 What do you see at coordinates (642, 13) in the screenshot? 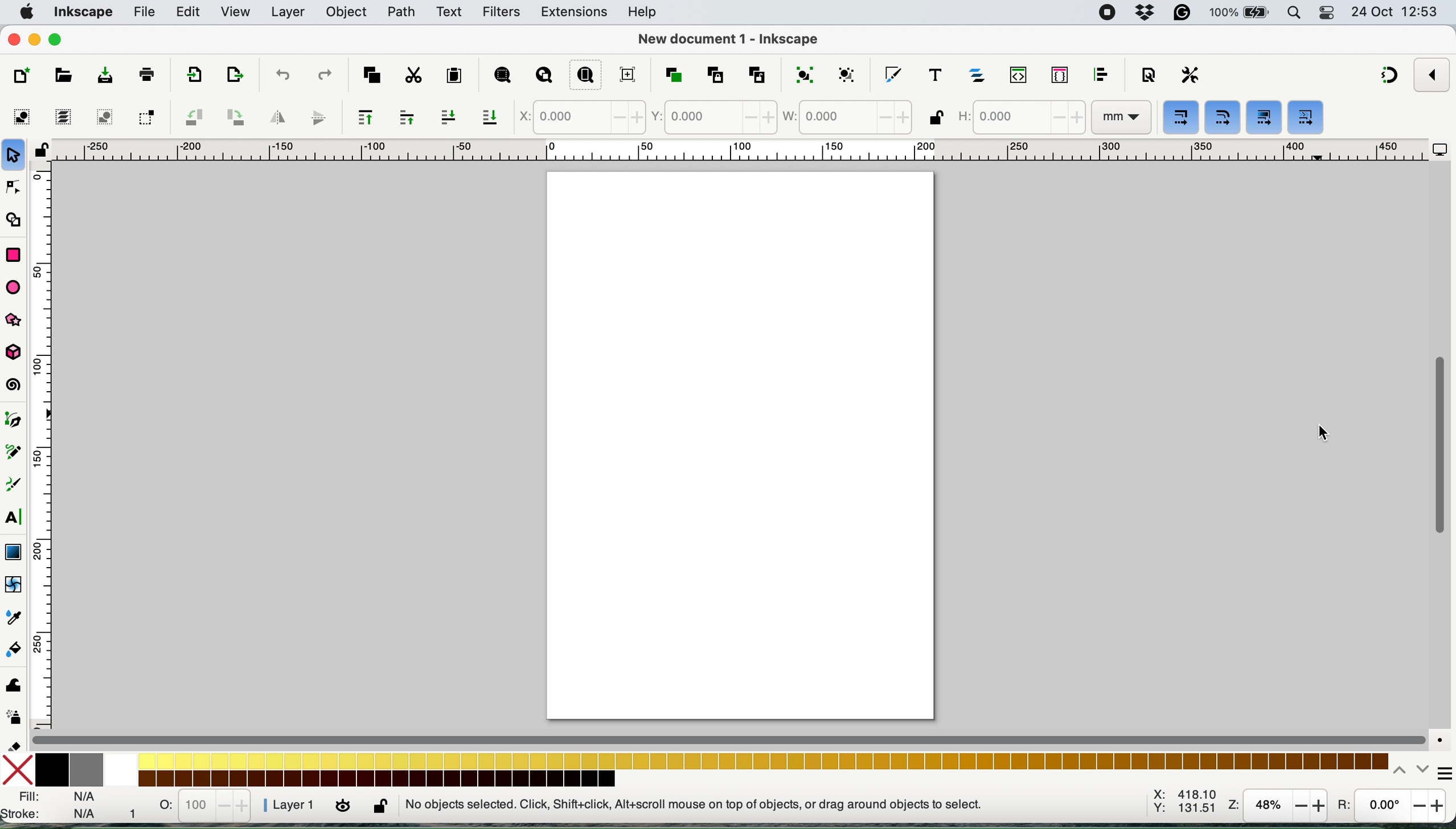
I see `help` at bounding box center [642, 13].